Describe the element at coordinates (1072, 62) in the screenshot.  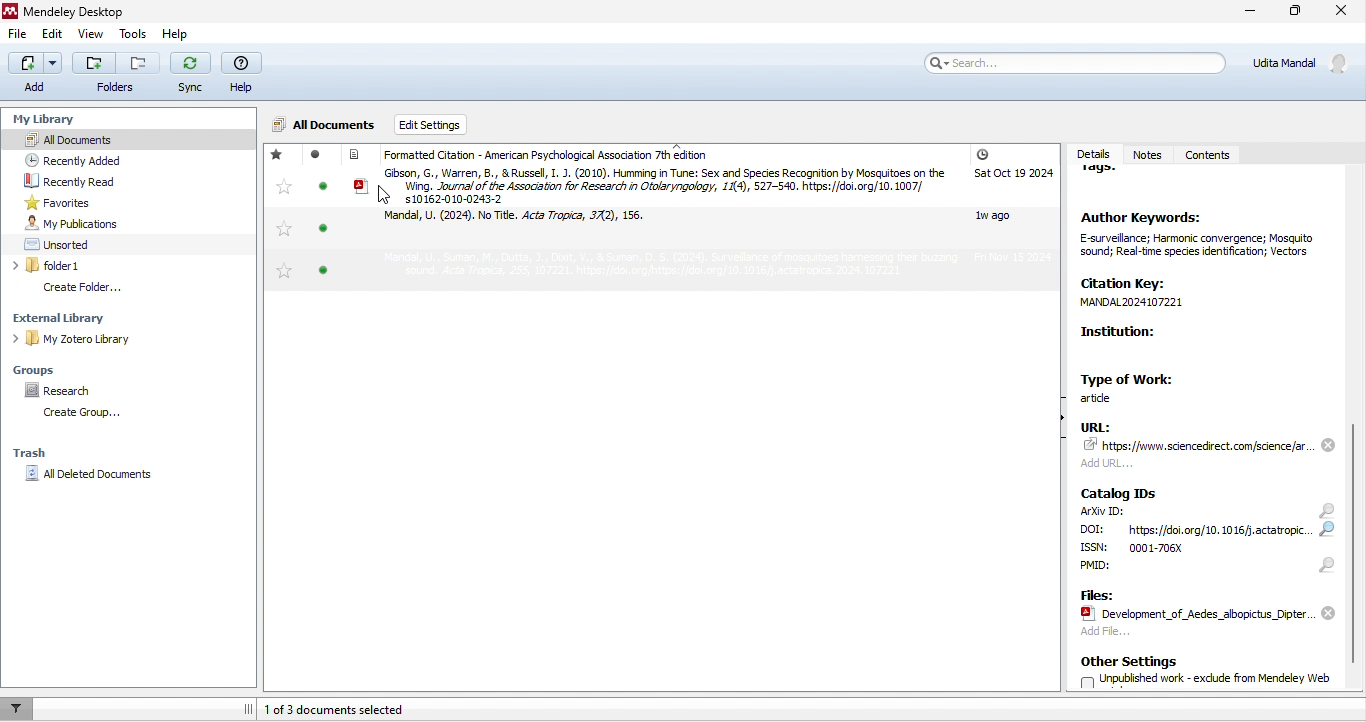
I see `search bar` at that location.